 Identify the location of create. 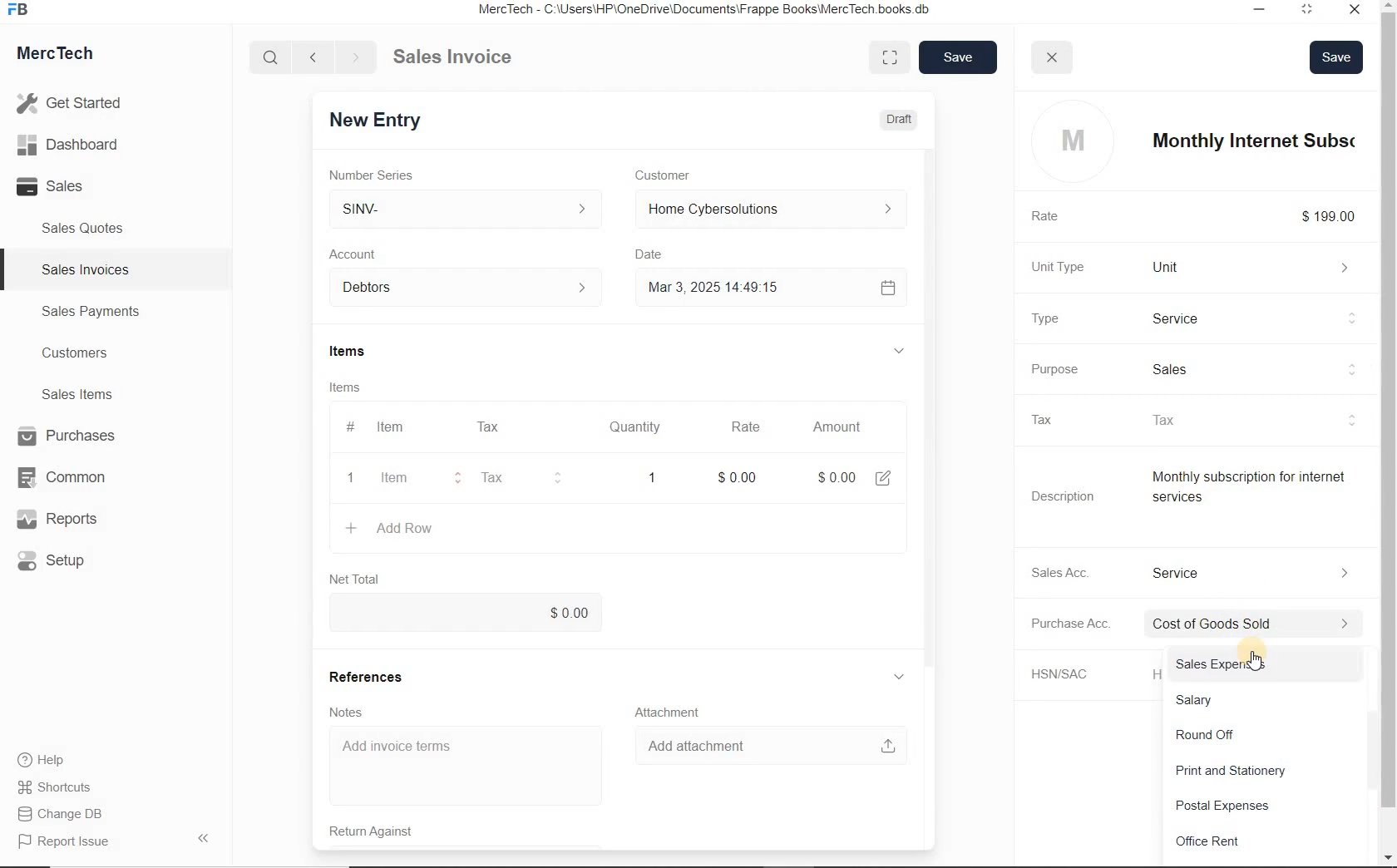
(353, 528).